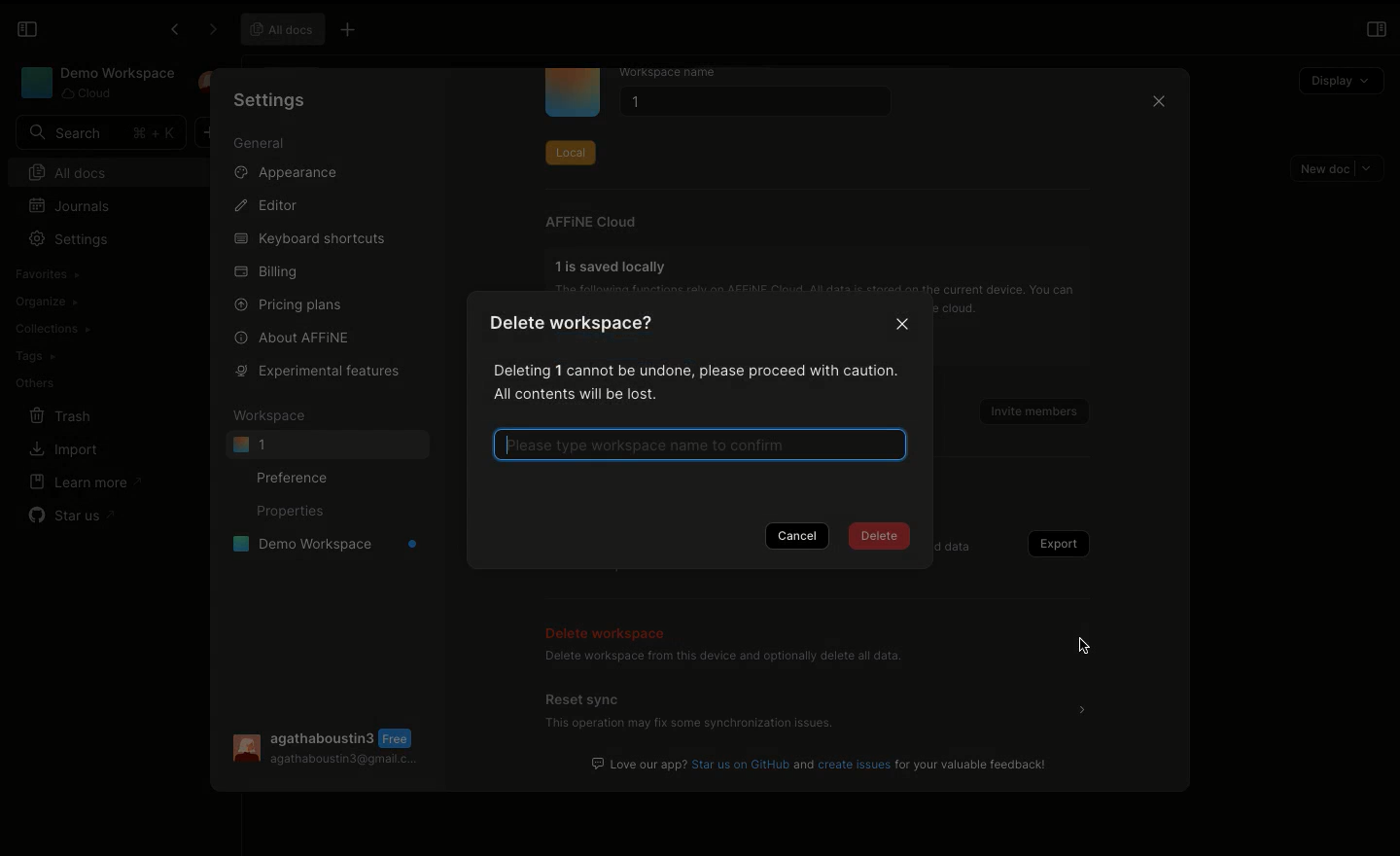 This screenshot has width=1400, height=856. I want to click on Icon, so click(573, 93).